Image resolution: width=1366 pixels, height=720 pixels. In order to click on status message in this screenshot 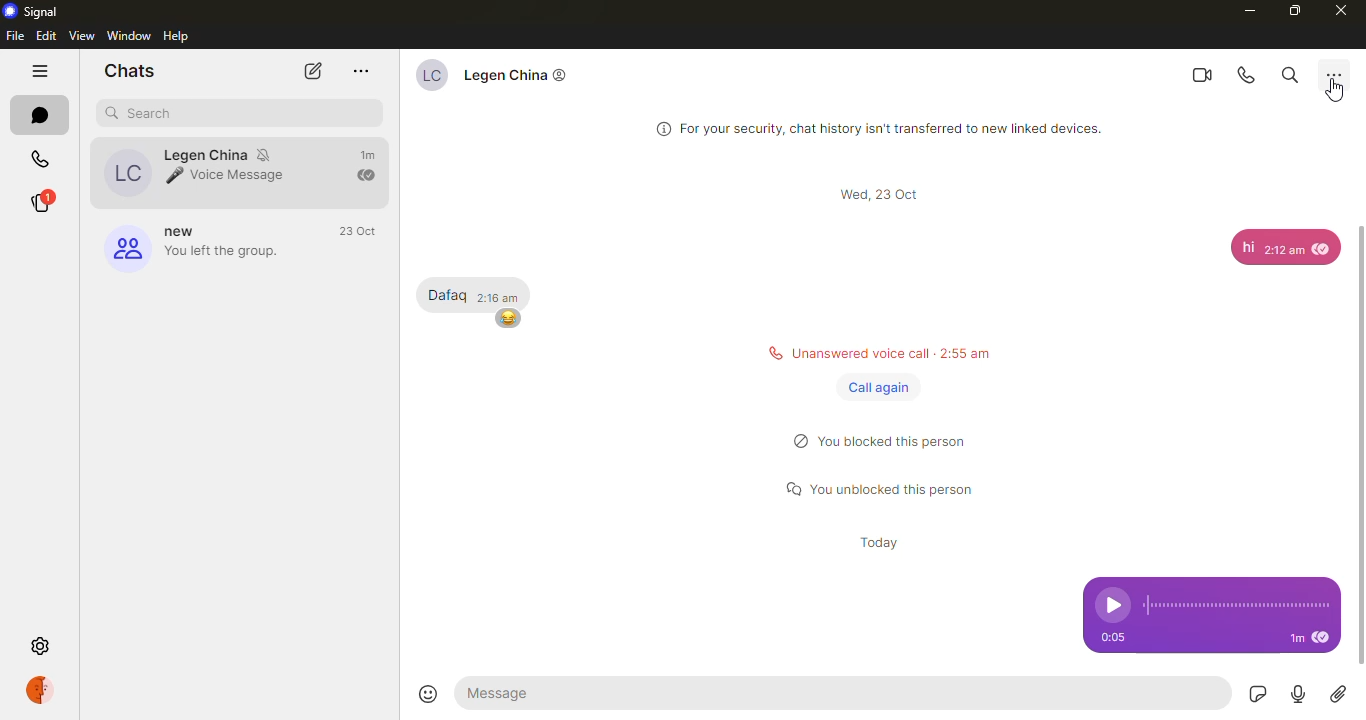, I will do `click(882, 487)`.